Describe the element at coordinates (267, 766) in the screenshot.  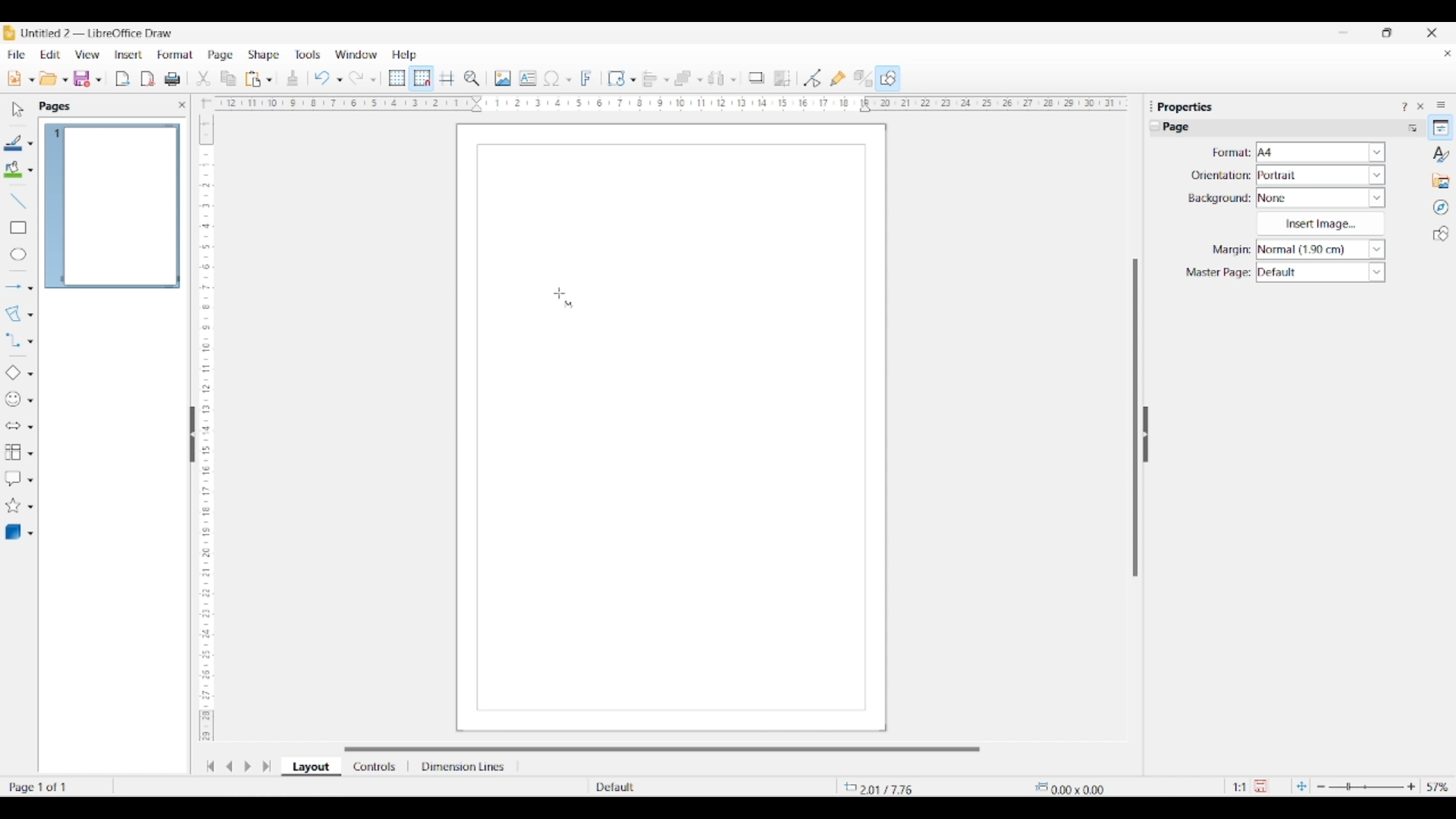
I see `Jump to the last slide` at that location.